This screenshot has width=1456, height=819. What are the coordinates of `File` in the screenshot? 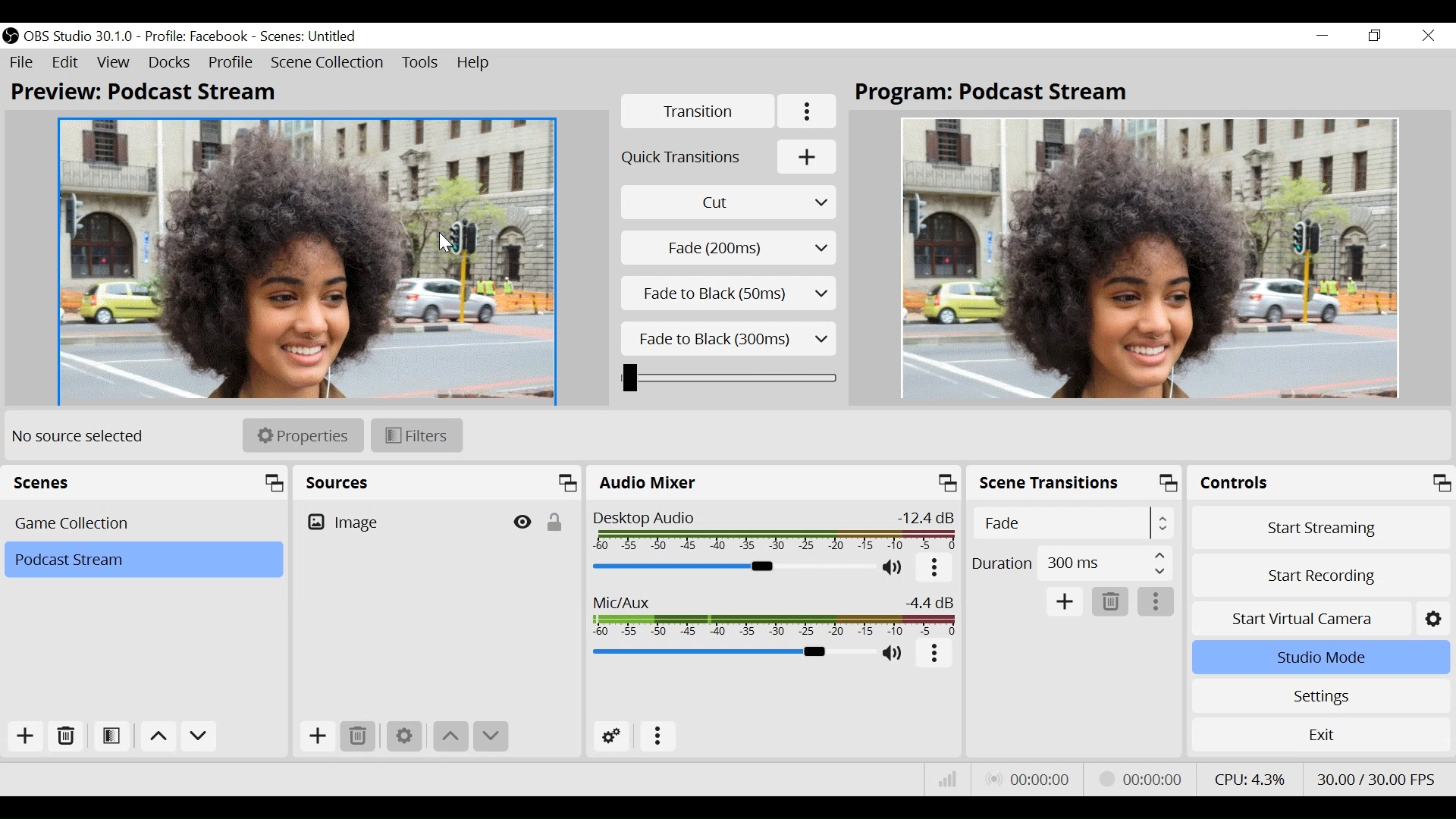 It's located at (22, 63).